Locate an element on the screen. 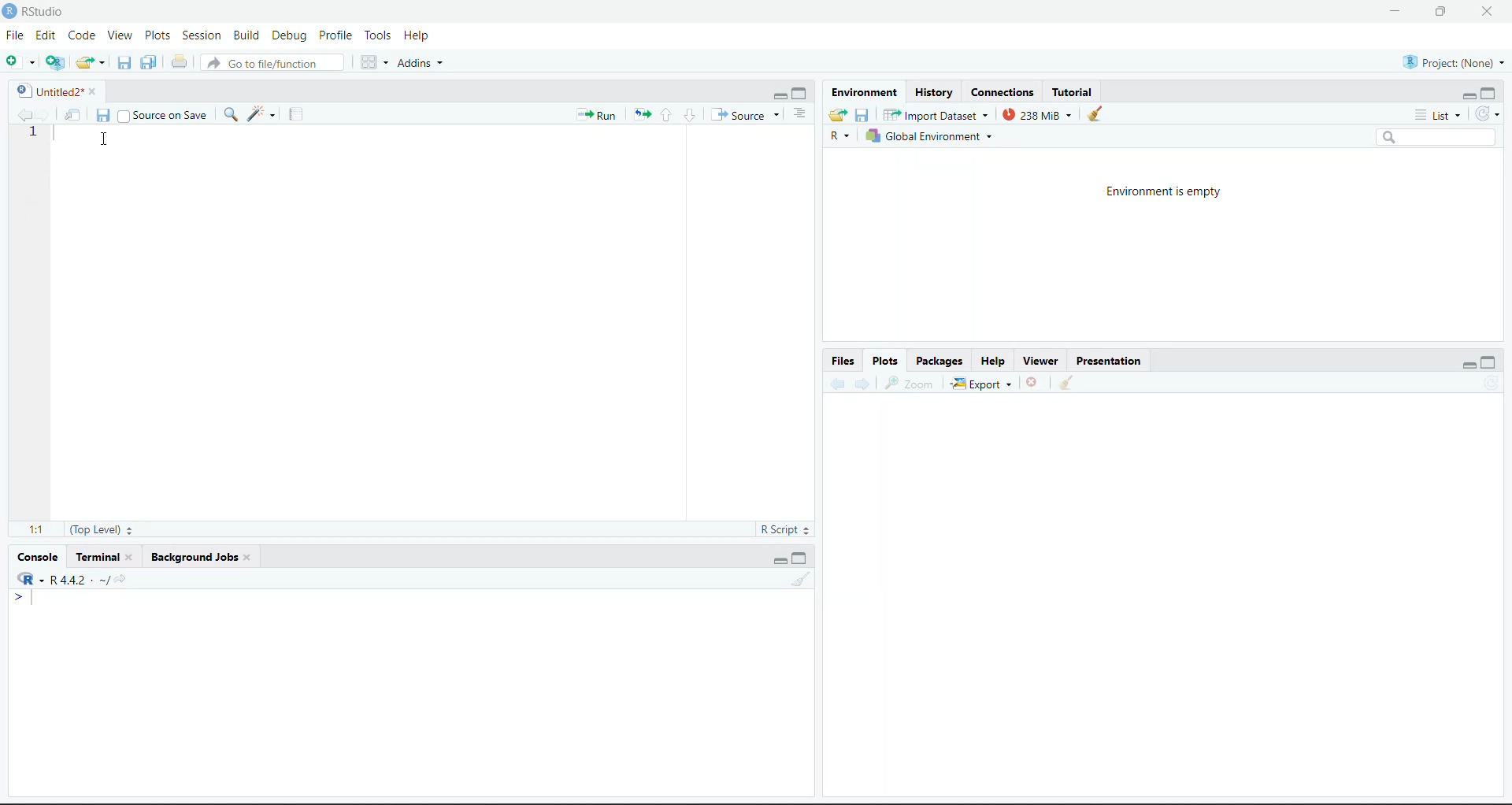 The height and width of the screenshot is (805, 1512). options is located at coordinates (375, 62).